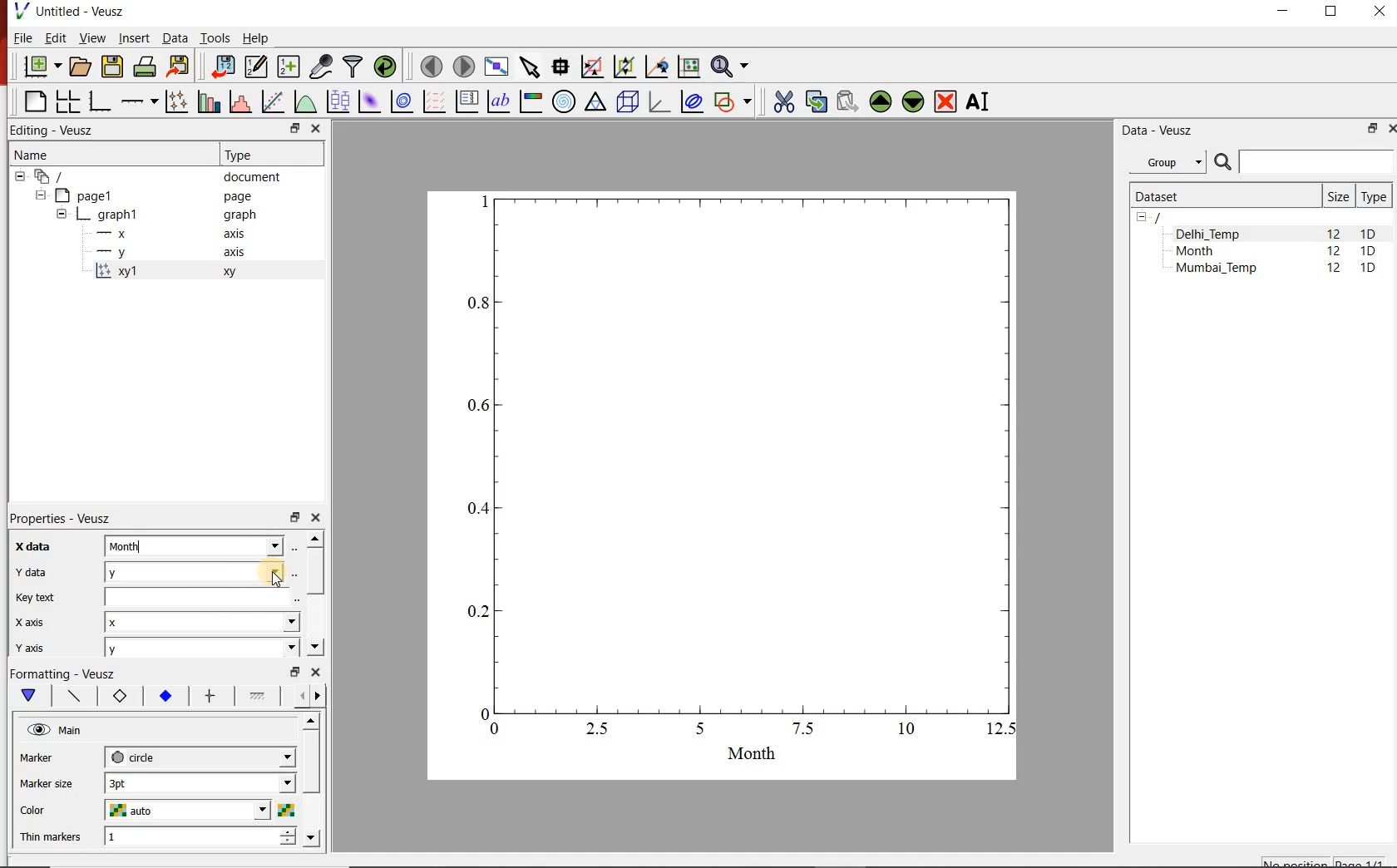 This screenshot has width=1397, height=868. I want to click on 12, so click(1333, 233).